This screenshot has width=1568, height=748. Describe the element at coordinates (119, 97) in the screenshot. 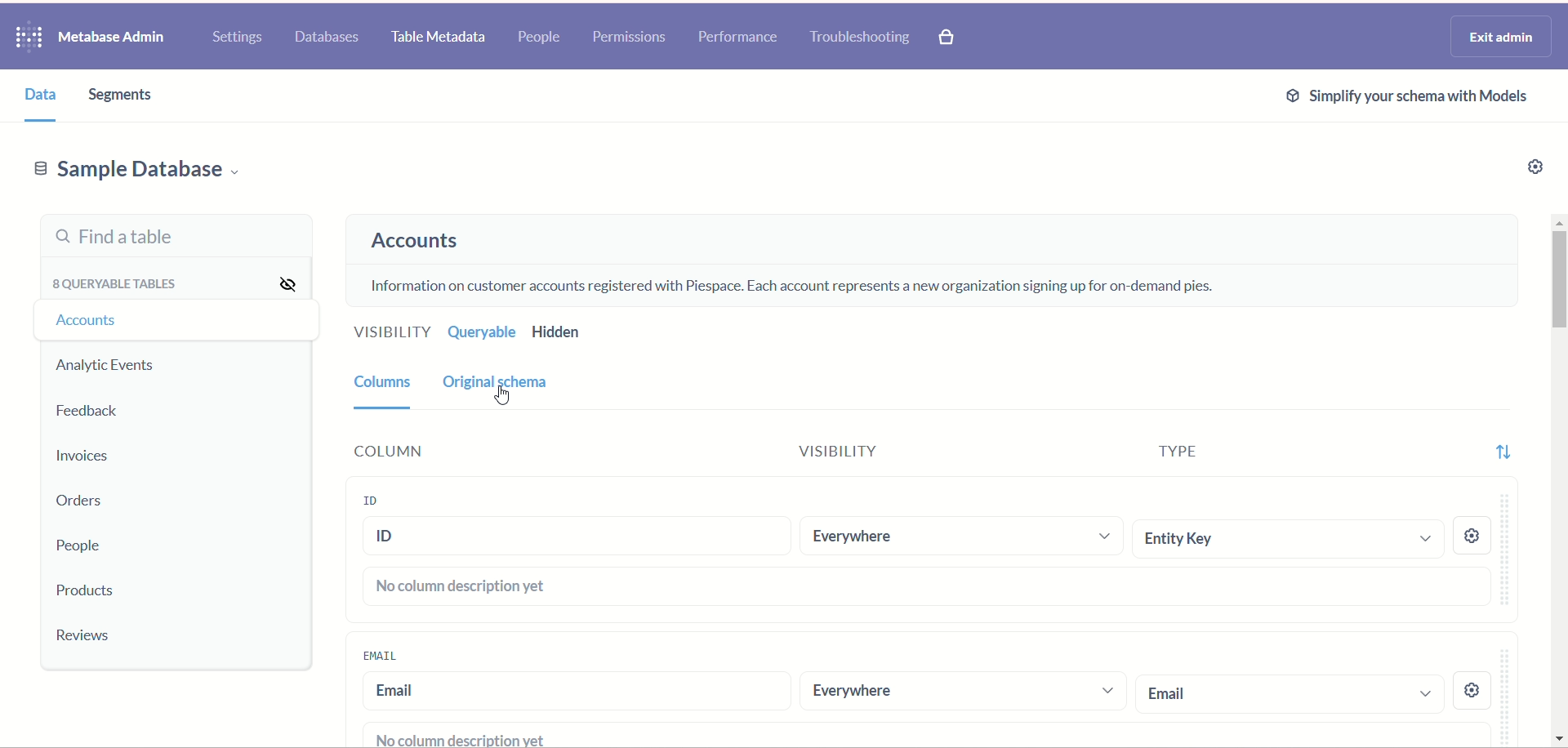

I see `segments` at that location.